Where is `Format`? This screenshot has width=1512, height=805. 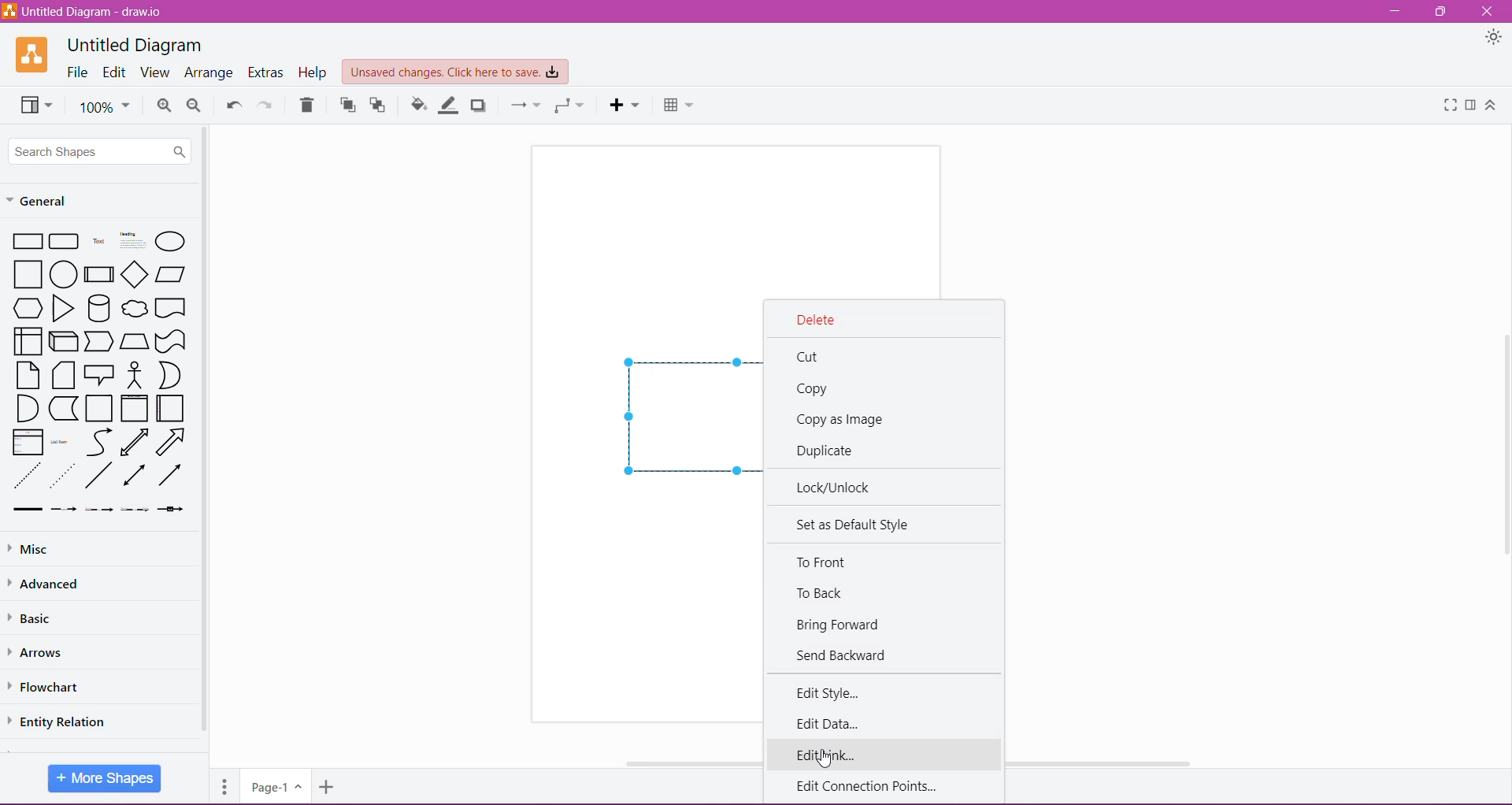
Format is located at coordinates (1472, 106).